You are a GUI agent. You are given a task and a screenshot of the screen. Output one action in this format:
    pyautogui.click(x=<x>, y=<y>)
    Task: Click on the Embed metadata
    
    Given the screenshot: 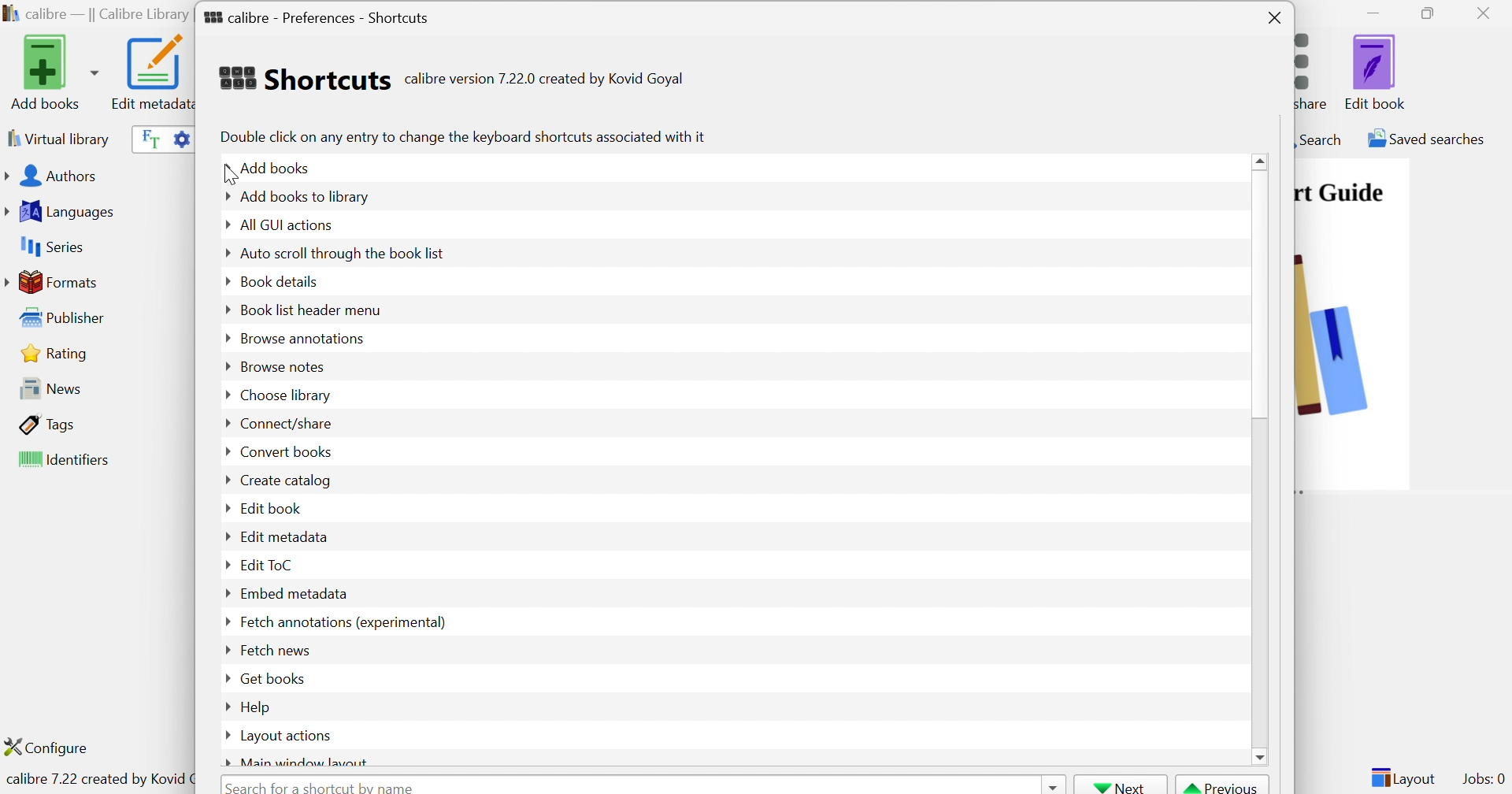 What is the action you would take?
    pyautogui.click(x=294, y=593)
    